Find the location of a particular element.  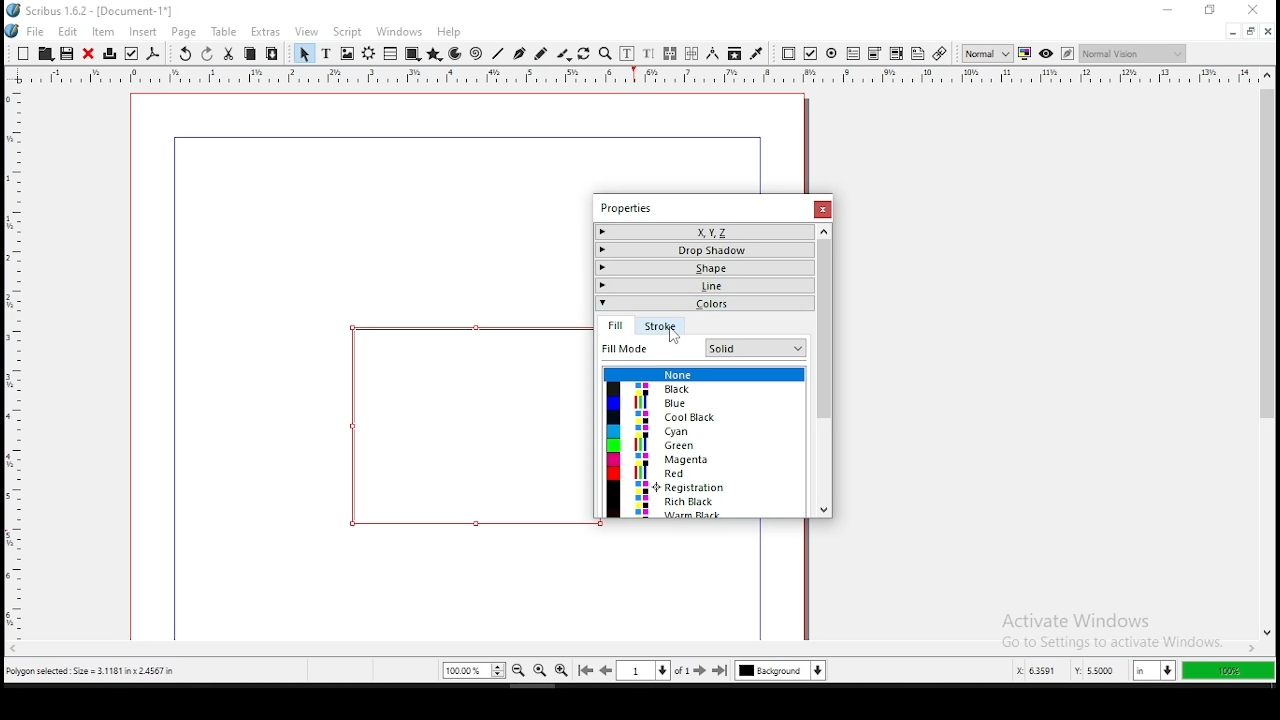

cool black is located at coordinates (705, 416).